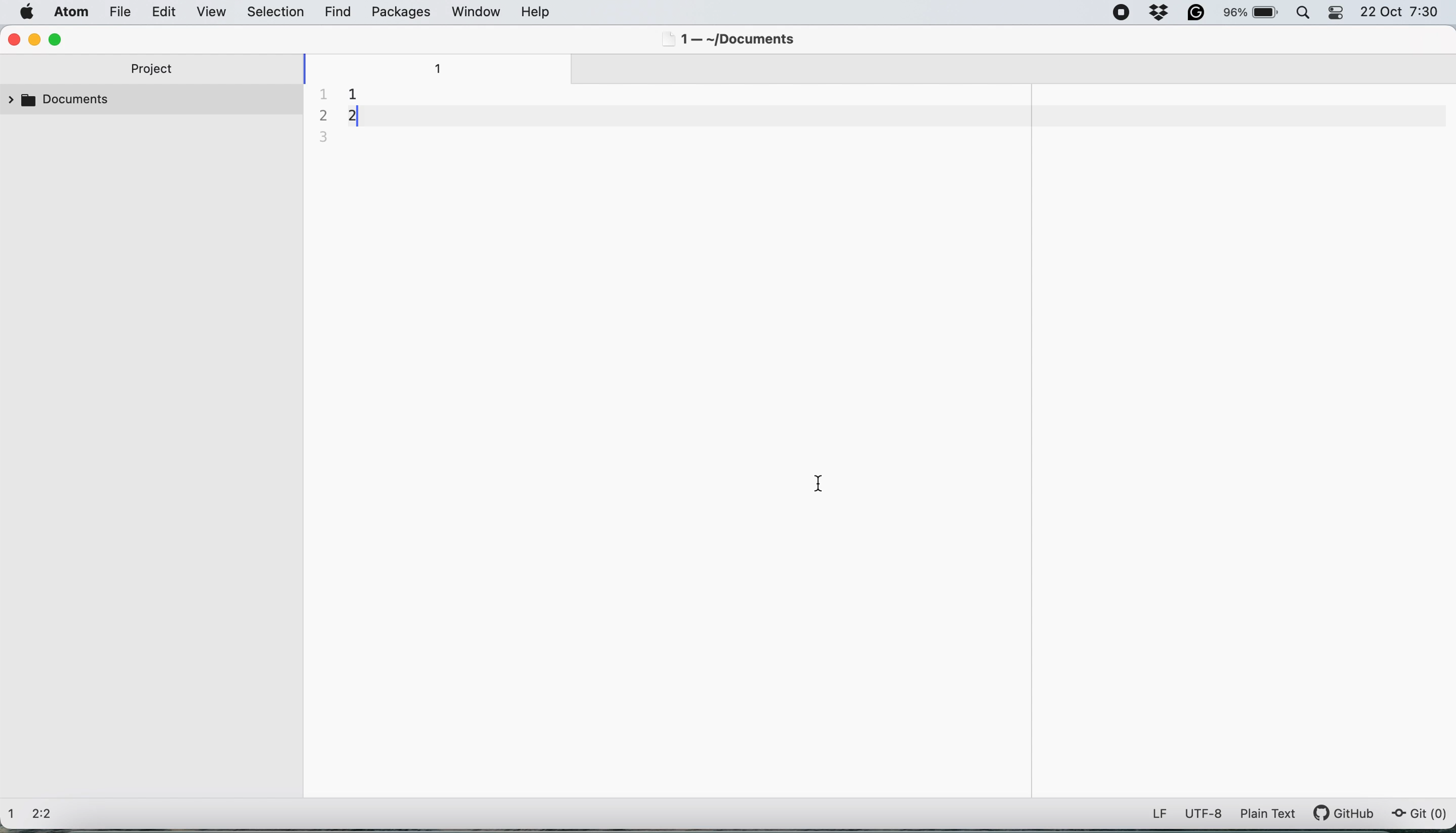  I want to click on battery, so click(1248, 14).